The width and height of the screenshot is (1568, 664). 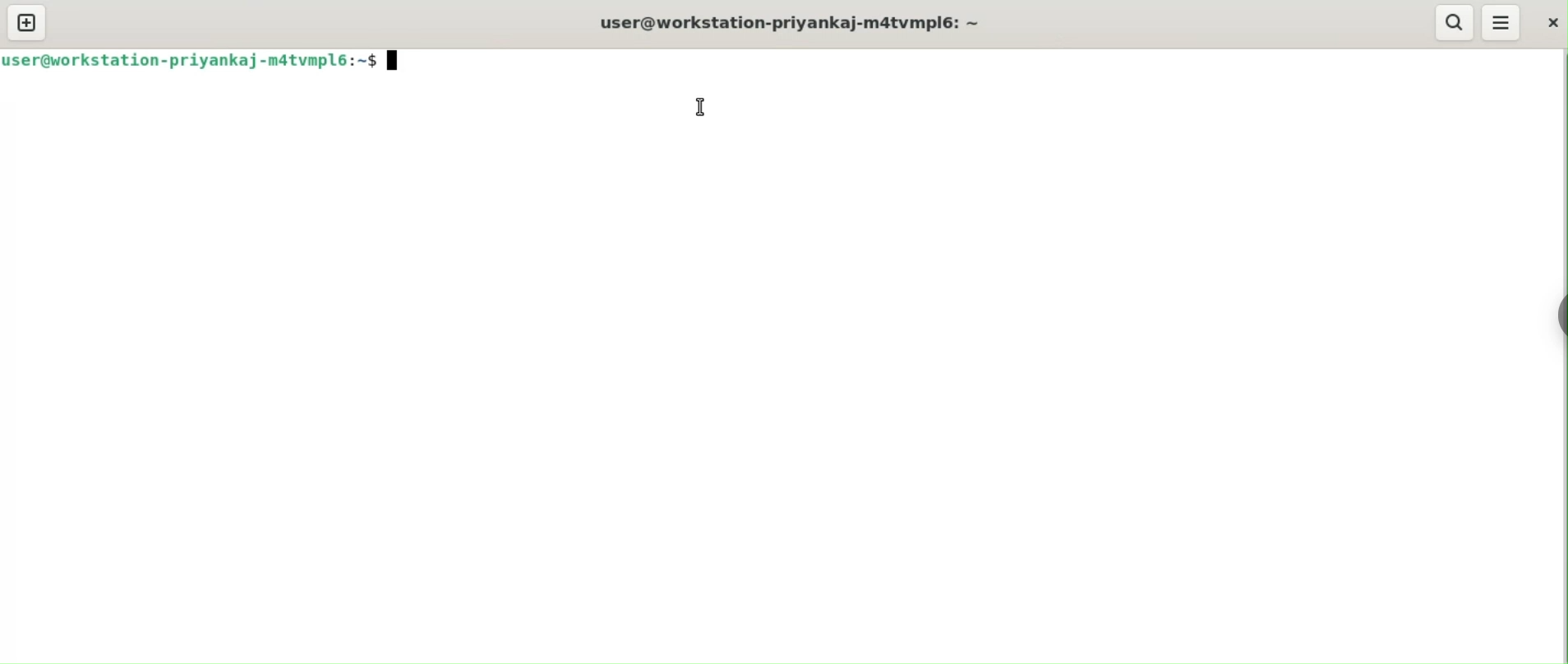 I want to click on user@workstation-priyankaj-m4tvmplé: ~, so click(x=805, y=24).